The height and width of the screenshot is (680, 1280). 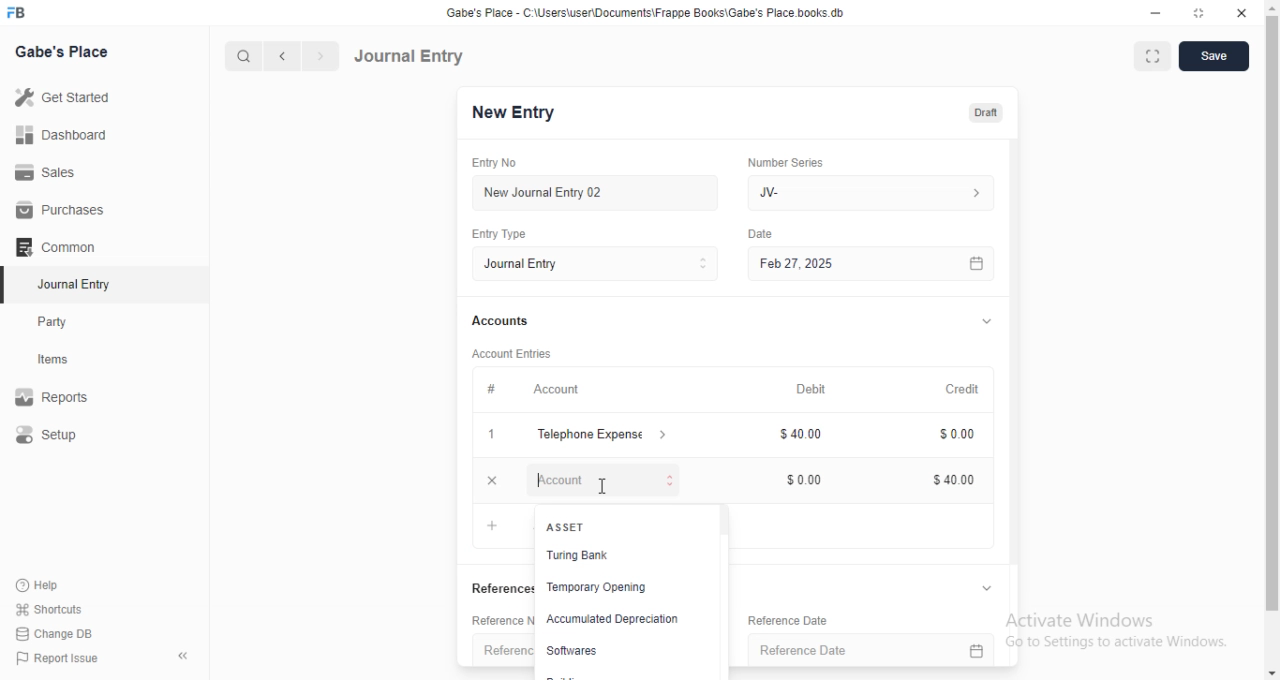 What do you see at coordinates (989, 112) in the screenshot?
I see `Draft` at bounding box center [989, 112].